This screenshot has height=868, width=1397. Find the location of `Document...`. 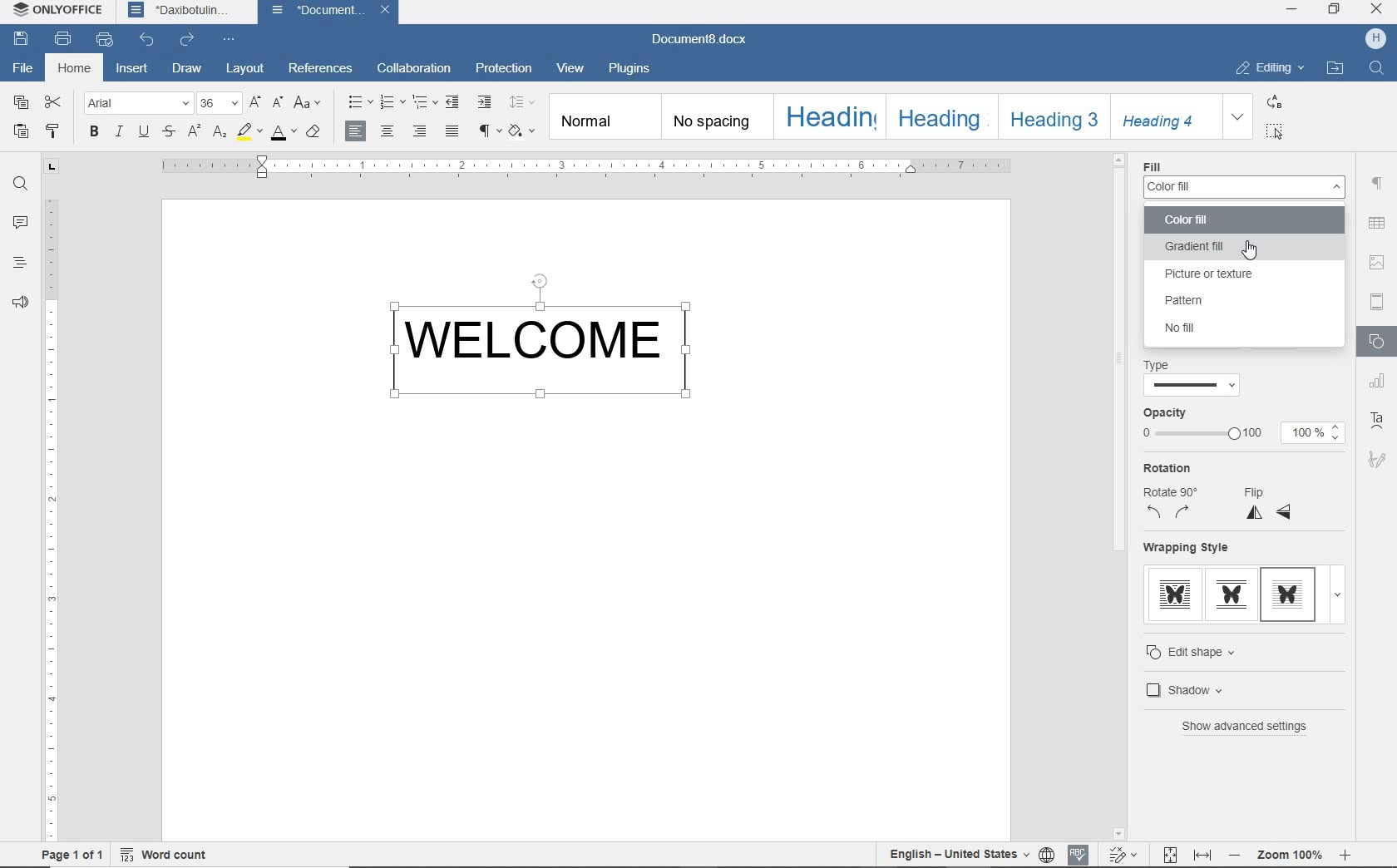

Document... is located at coordinates (318, 11).